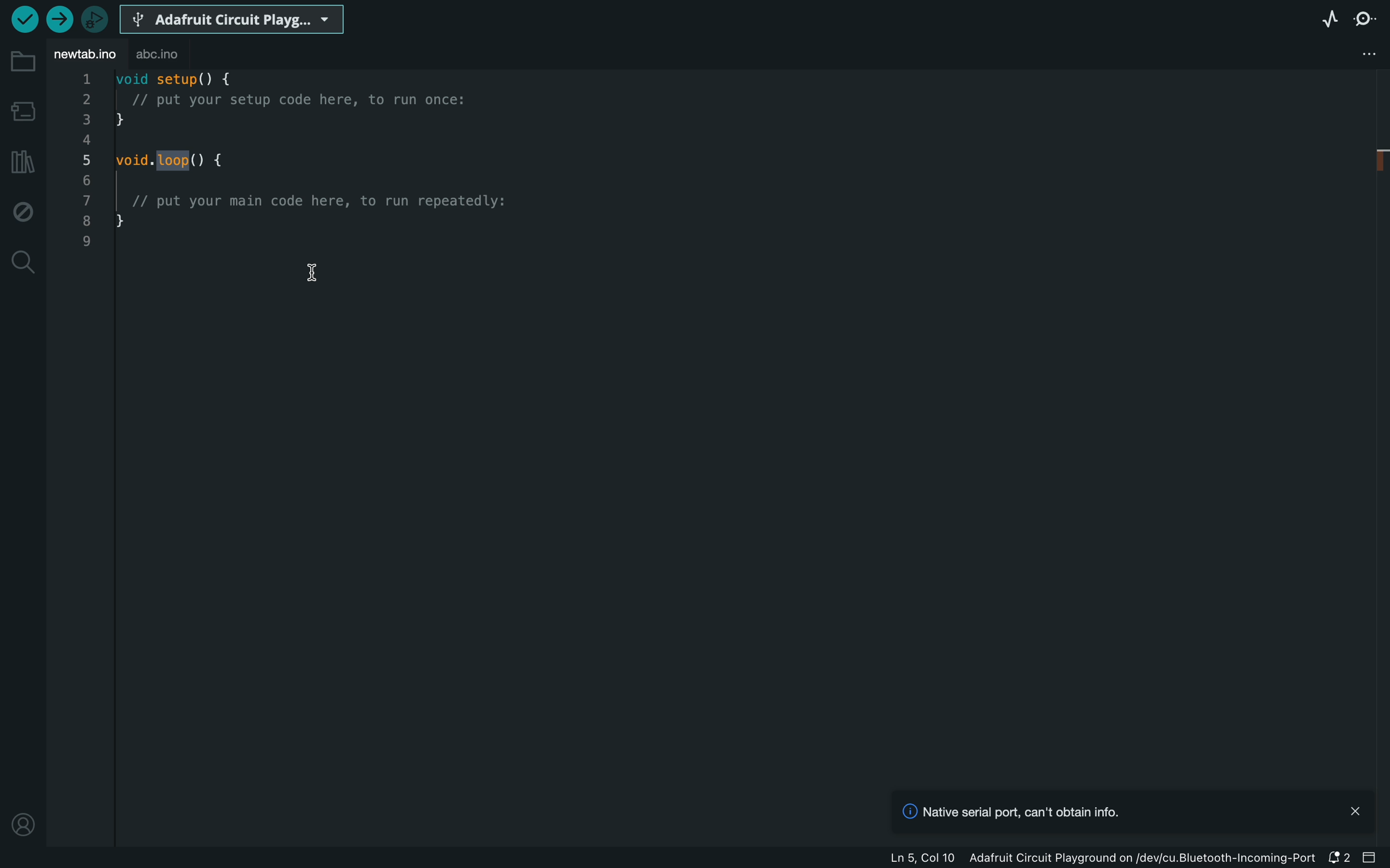  I want to click on close, so click(1355, 809).